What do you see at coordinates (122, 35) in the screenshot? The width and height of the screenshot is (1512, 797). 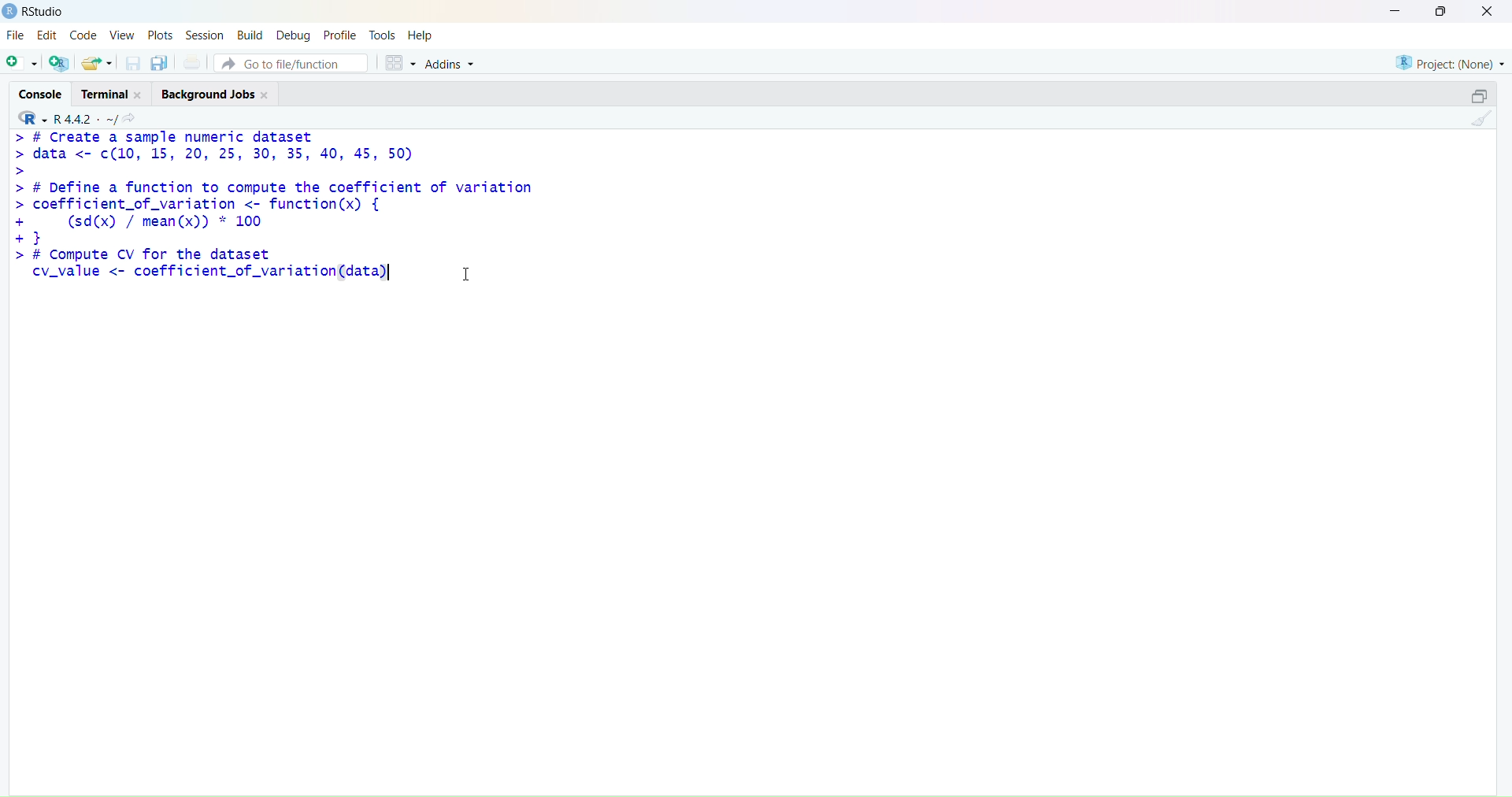 I see `view` at bounding box center [122, 35].